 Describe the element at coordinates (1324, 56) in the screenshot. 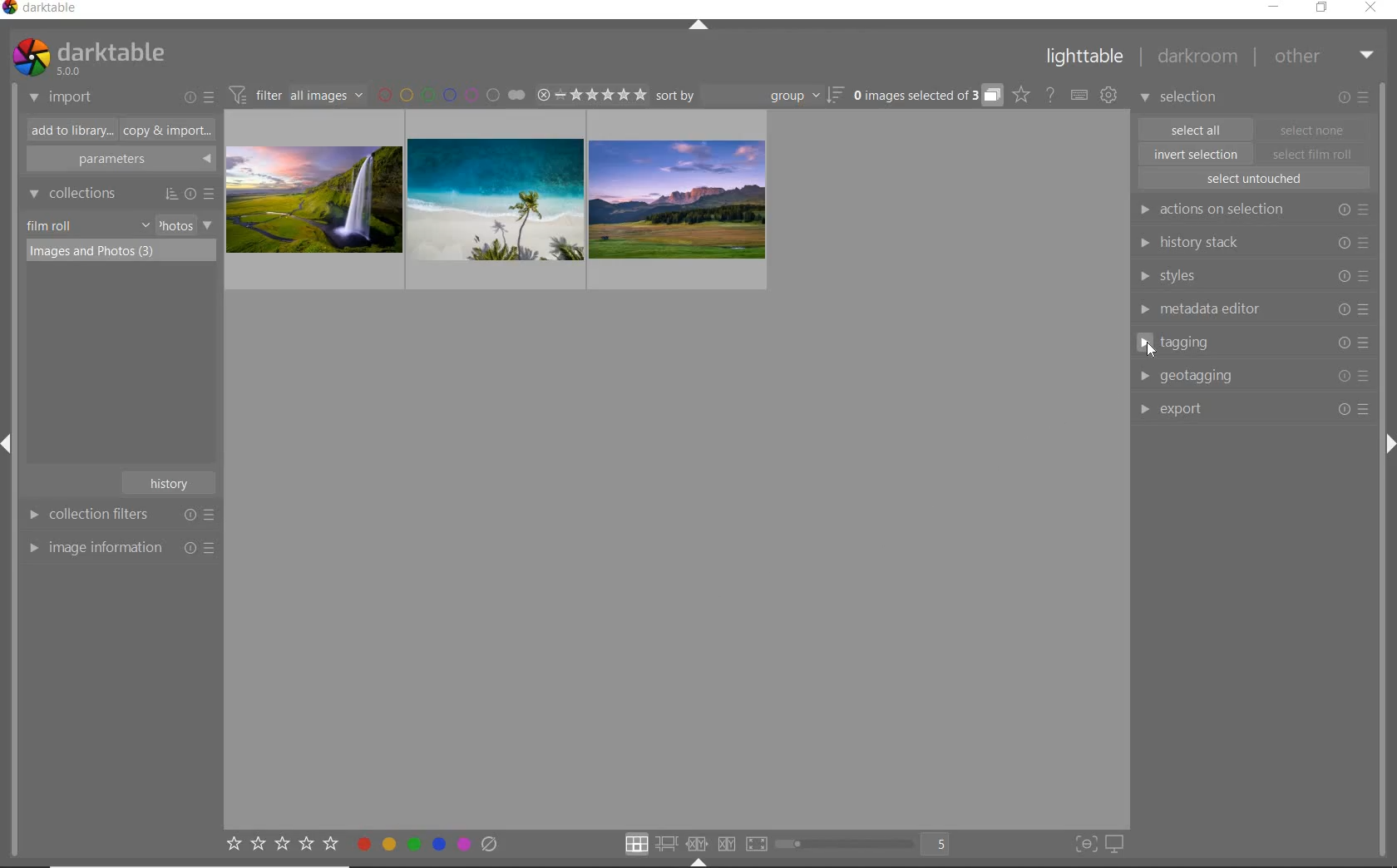

I see `other` at that location.